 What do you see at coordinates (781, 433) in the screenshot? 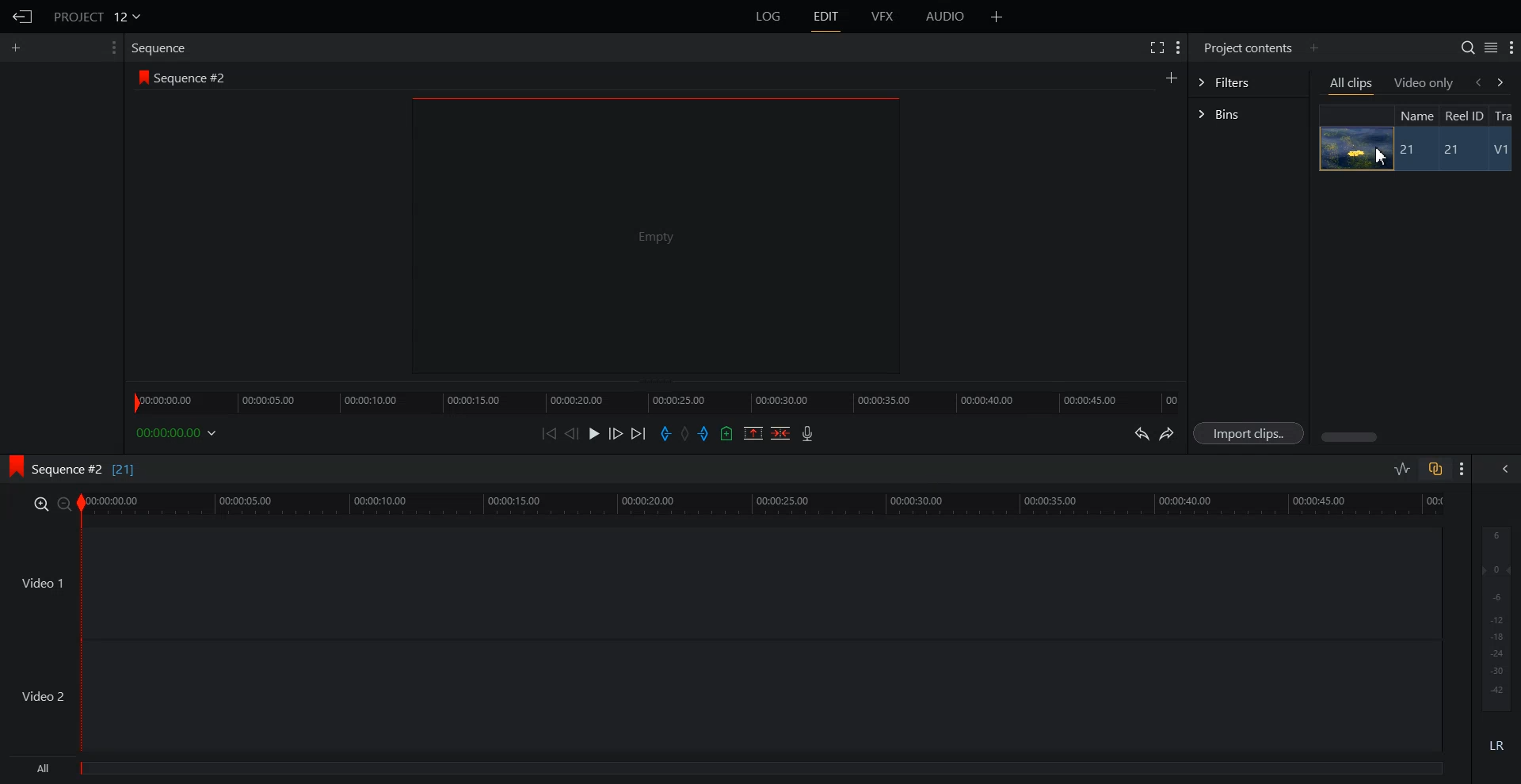
I see `Delete` at bounding box center [781, 433].